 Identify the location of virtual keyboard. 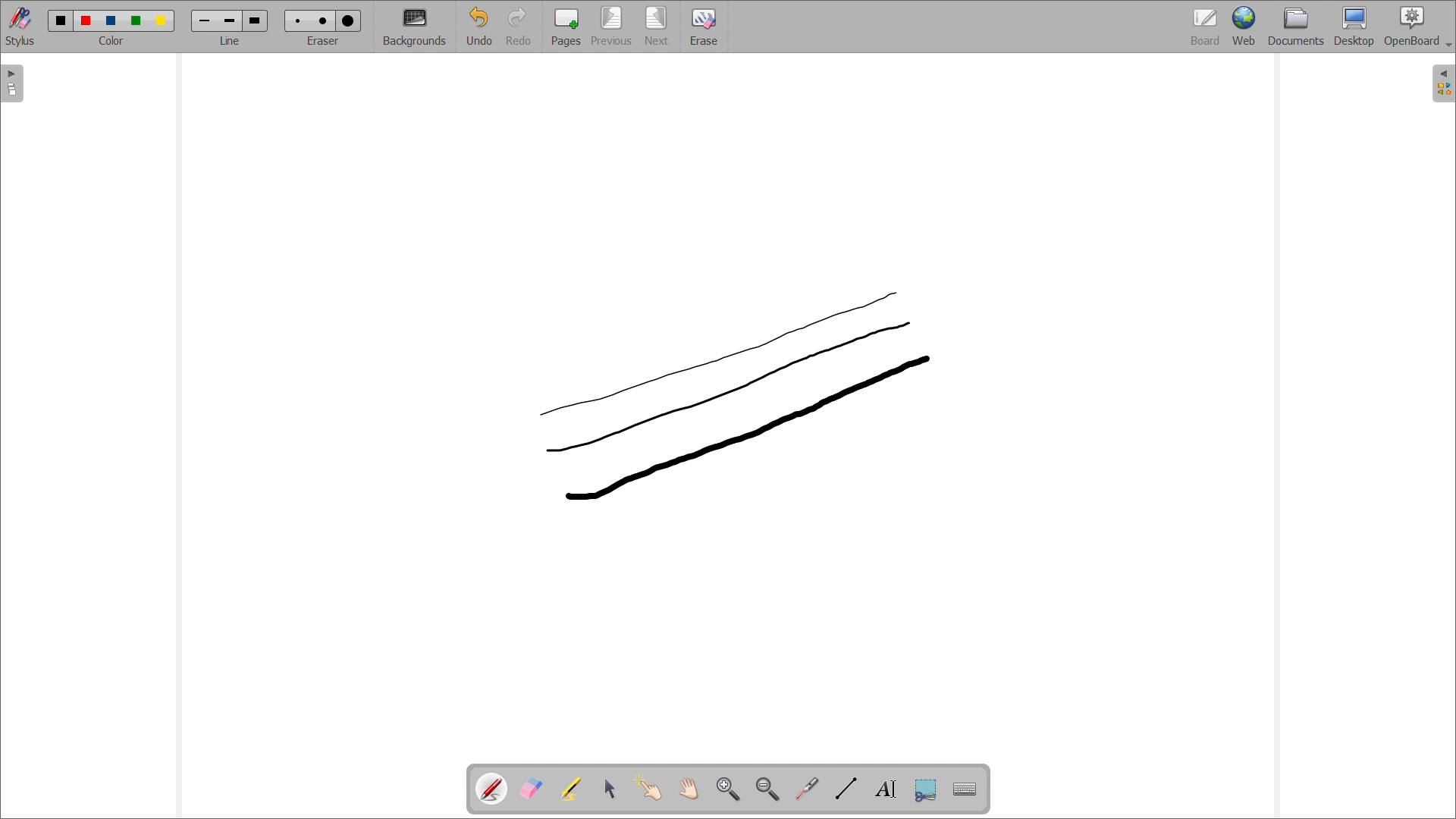
(966, 790).